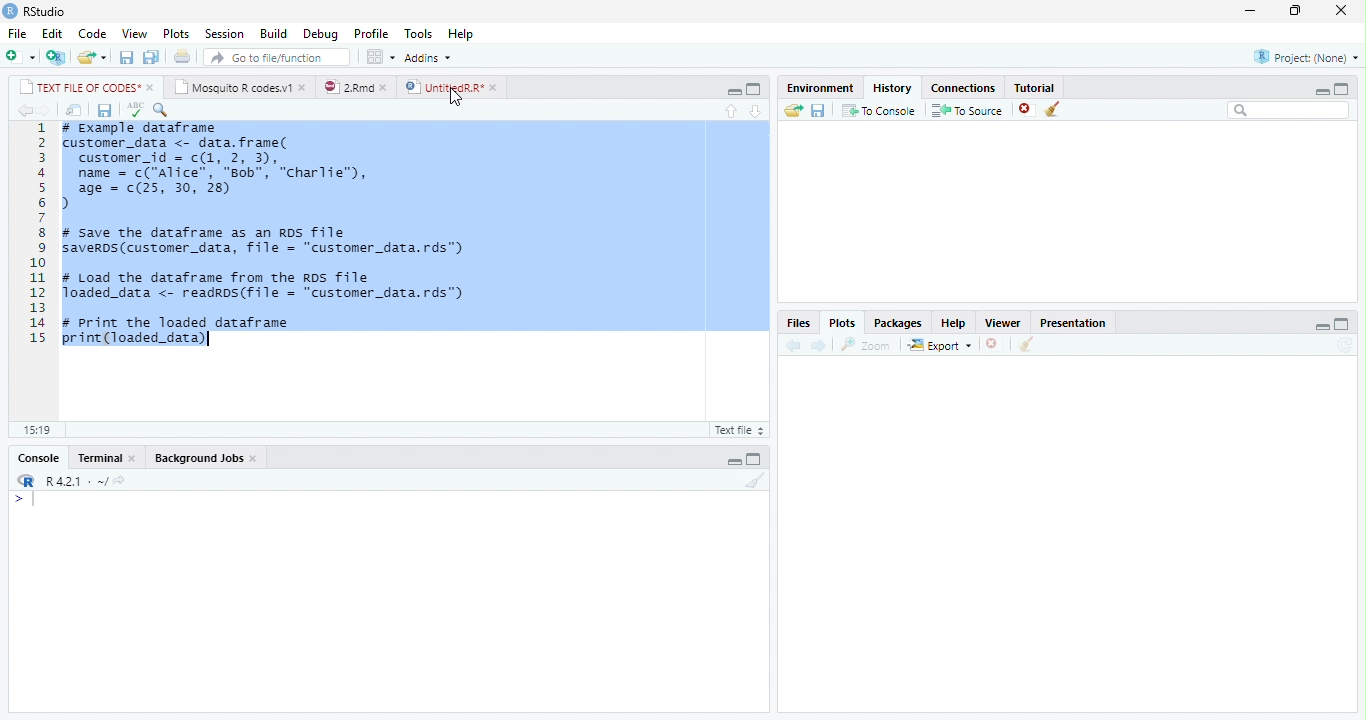  I want to click on close, so click(995, 344).